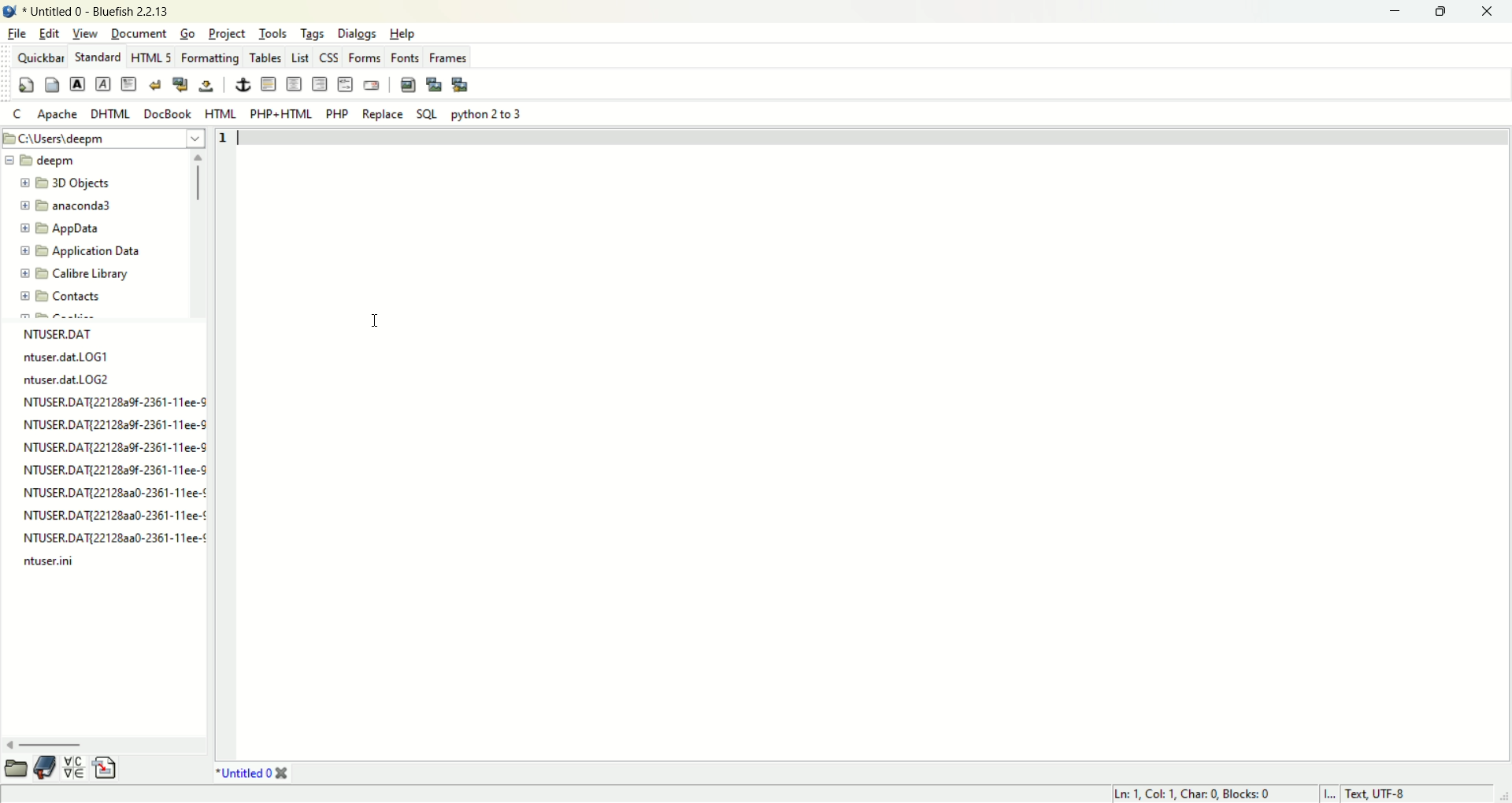 This screenshot has width=1512, height=803. What do you see at coordinates (206, 85) in the screenshot?
I see `non-breaking space` at bounding box center [206, 85].